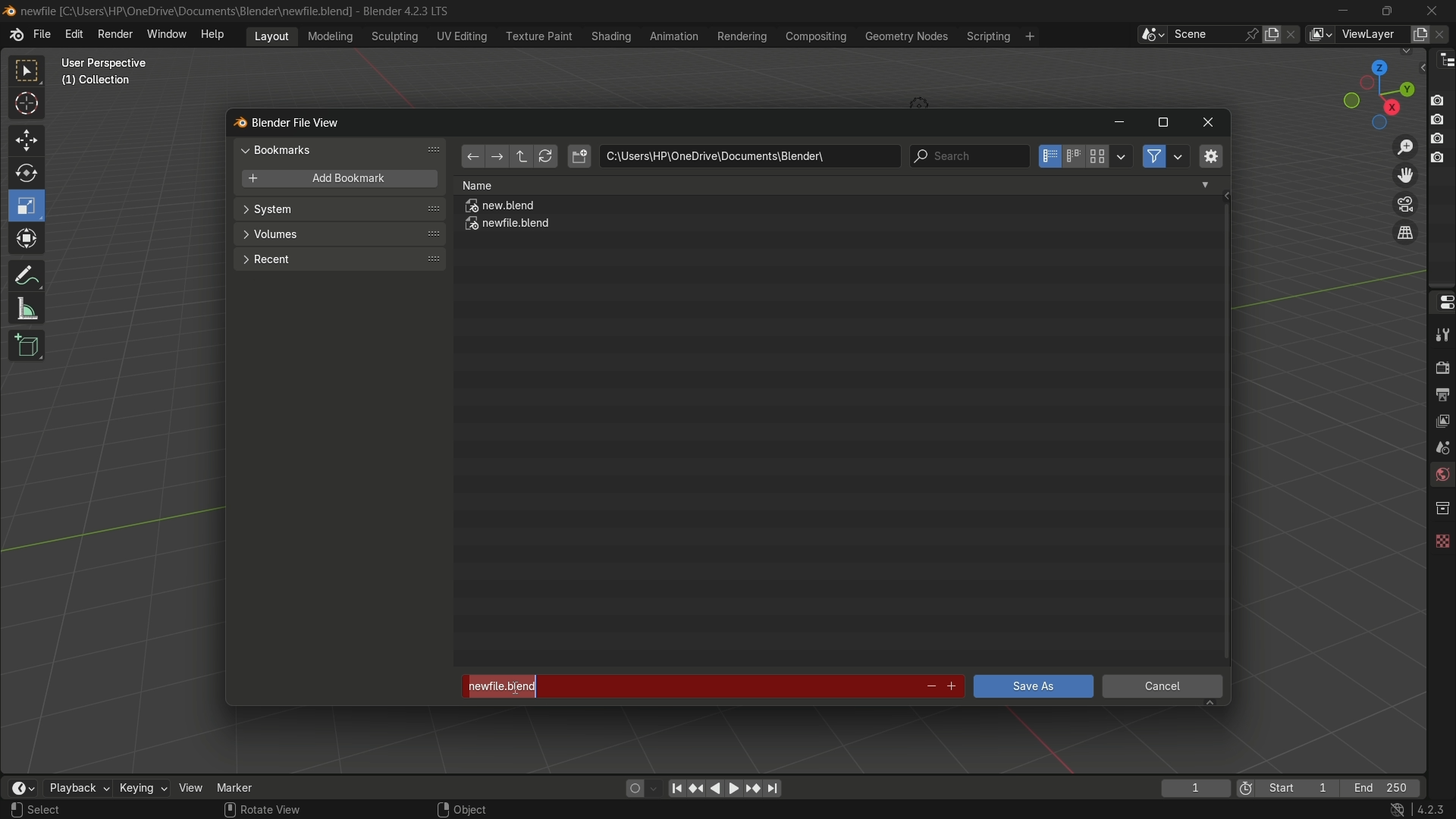  What do you see at coordinates (187, 11) in the screenshot?
I see `C:\User:\\HP\Onedrive\Documents\Blender` at bounding box center [187, 11].